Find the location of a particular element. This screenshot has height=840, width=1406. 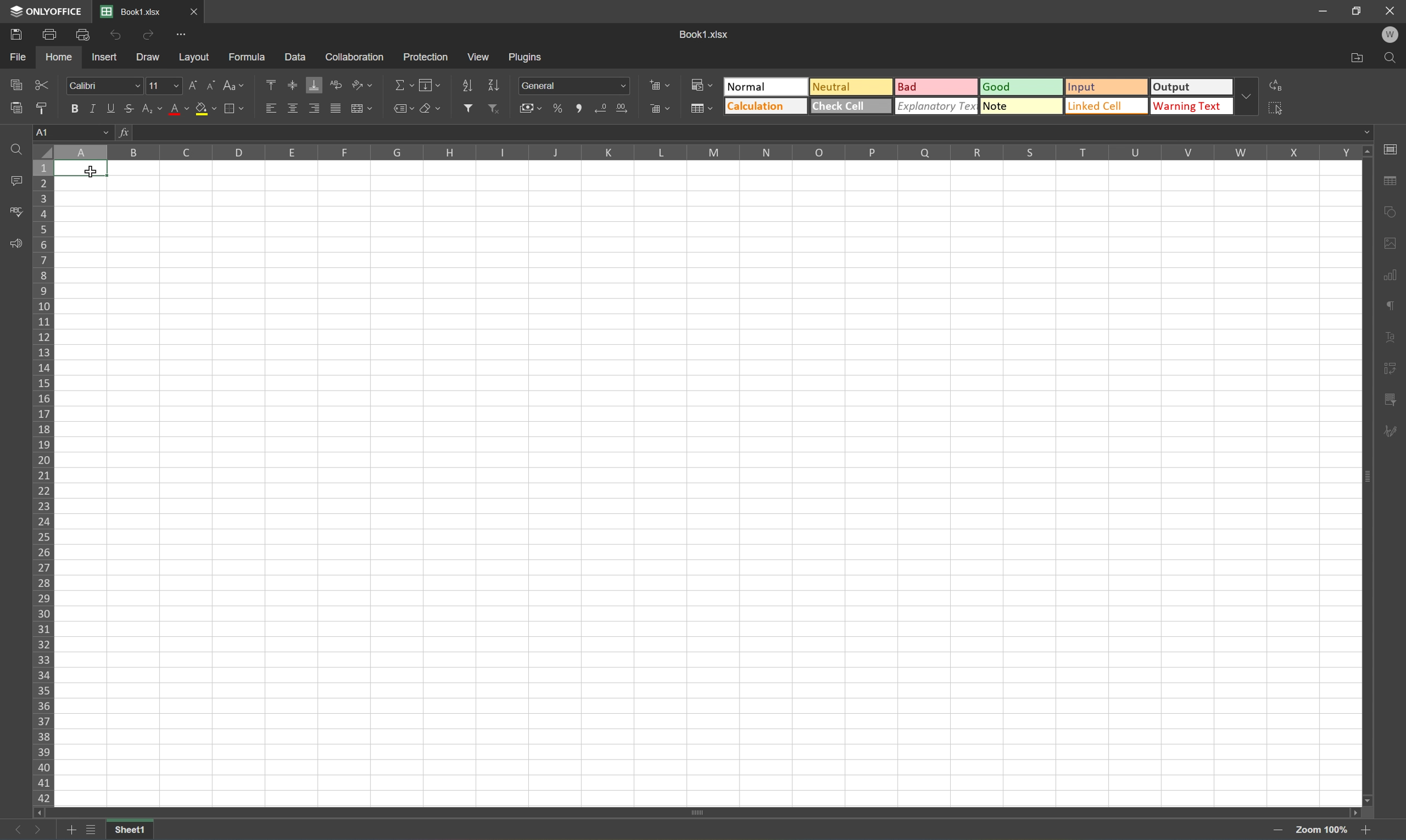

Justified is located at coordinates (336, 109).